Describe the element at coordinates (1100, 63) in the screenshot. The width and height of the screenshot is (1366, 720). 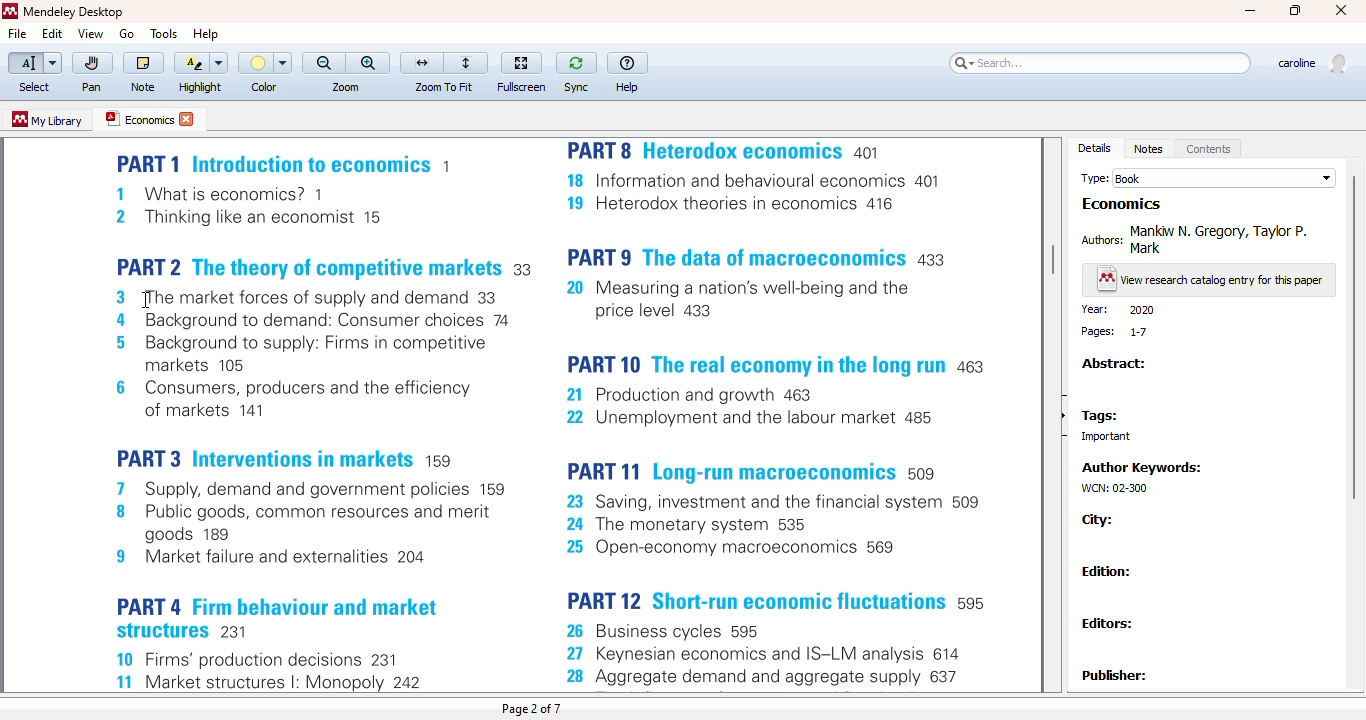
I see `search` at that location.